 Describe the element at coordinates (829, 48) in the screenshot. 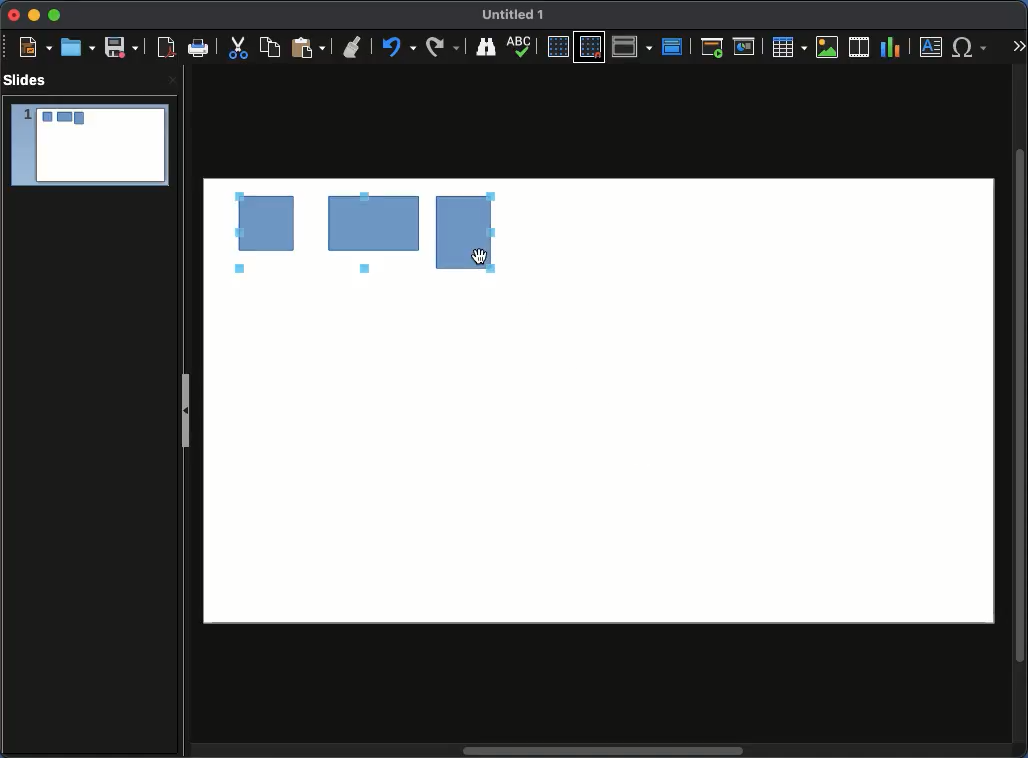

I see `Image` at that location.